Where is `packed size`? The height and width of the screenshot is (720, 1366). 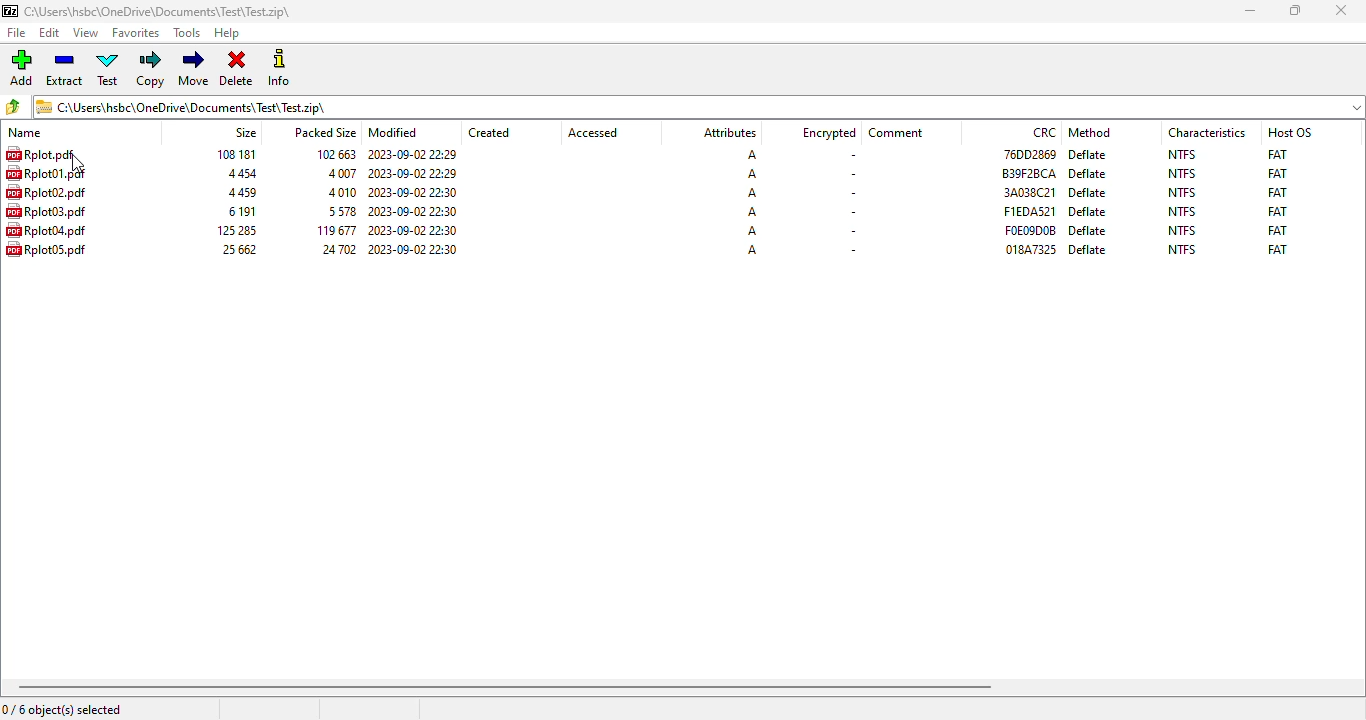 packed size is located at coordinates (324, 131).